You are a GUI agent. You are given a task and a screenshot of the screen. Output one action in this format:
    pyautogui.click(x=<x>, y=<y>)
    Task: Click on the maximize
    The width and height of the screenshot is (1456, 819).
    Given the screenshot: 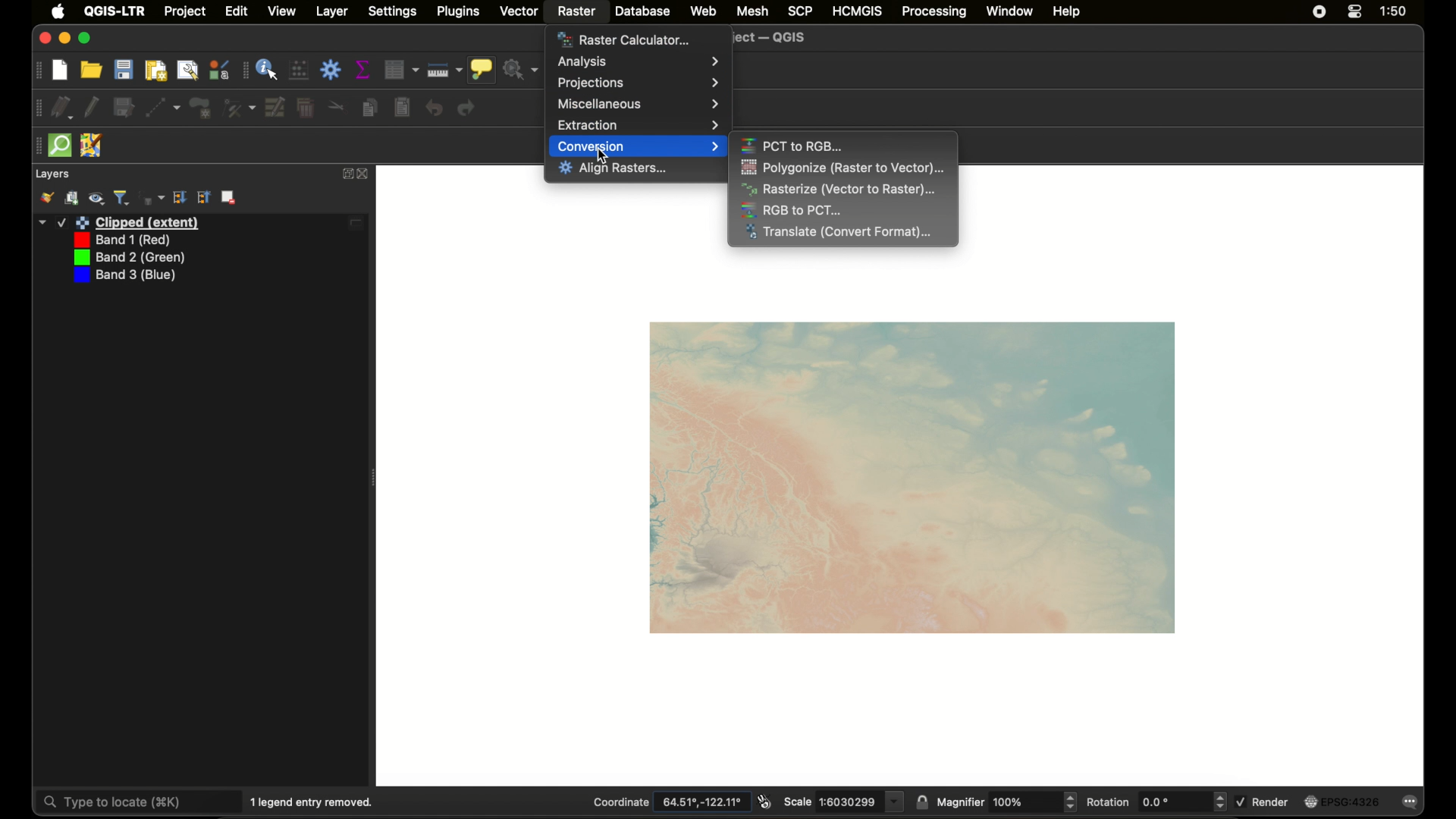 What is the action you would take?
    pyautogui.click(x=86, y=39)
    